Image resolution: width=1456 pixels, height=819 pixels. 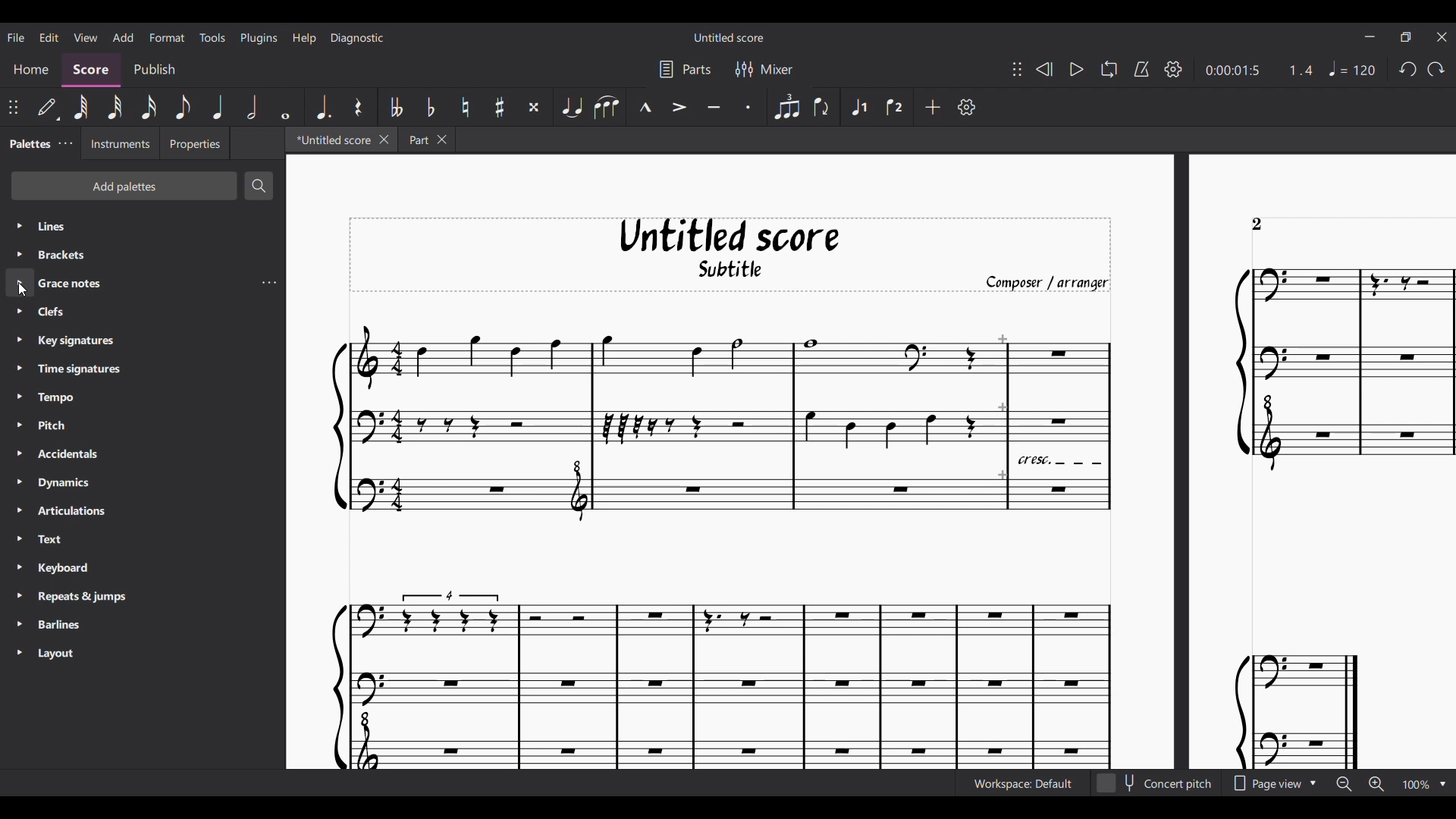 What do you see at coordinates (534, 108) in the screenshot?
I see `Toggle double sharp` at bounding box center [534, 108].